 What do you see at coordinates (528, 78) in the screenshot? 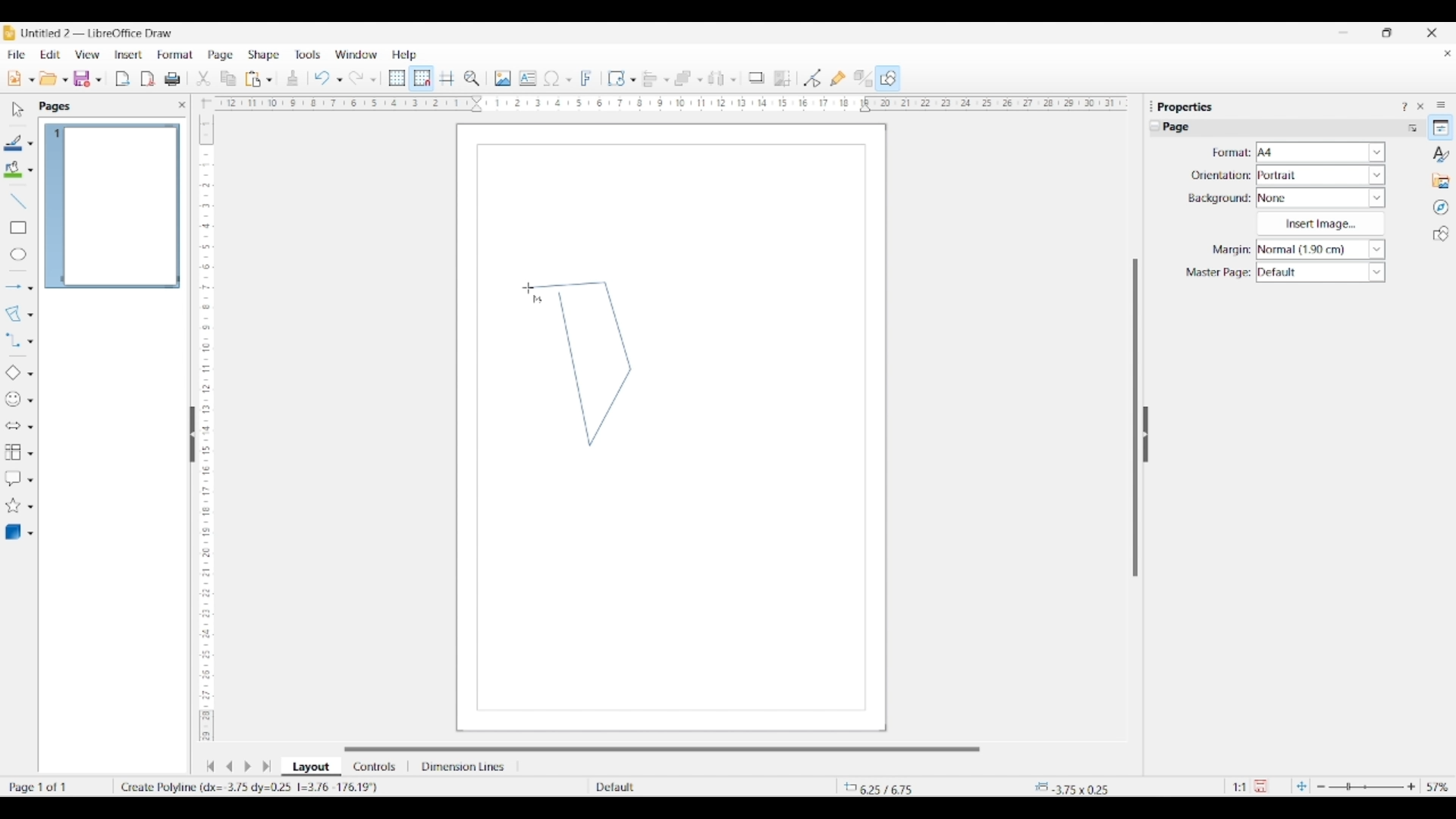
I see `Insert text box` at bounding box center [528, 78].